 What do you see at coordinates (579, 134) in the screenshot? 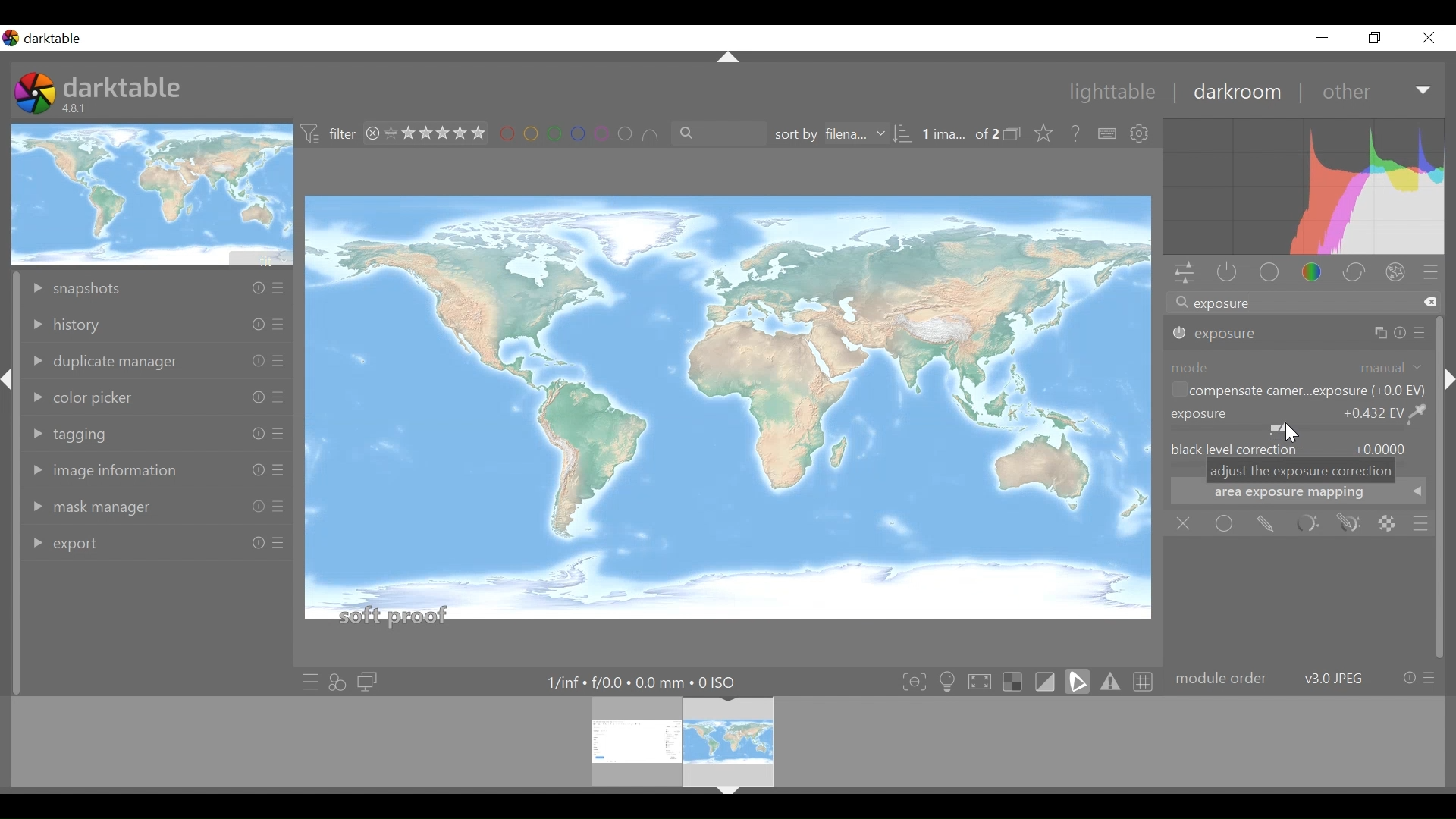
I see `set color labels` at bounding box center [579, 134].